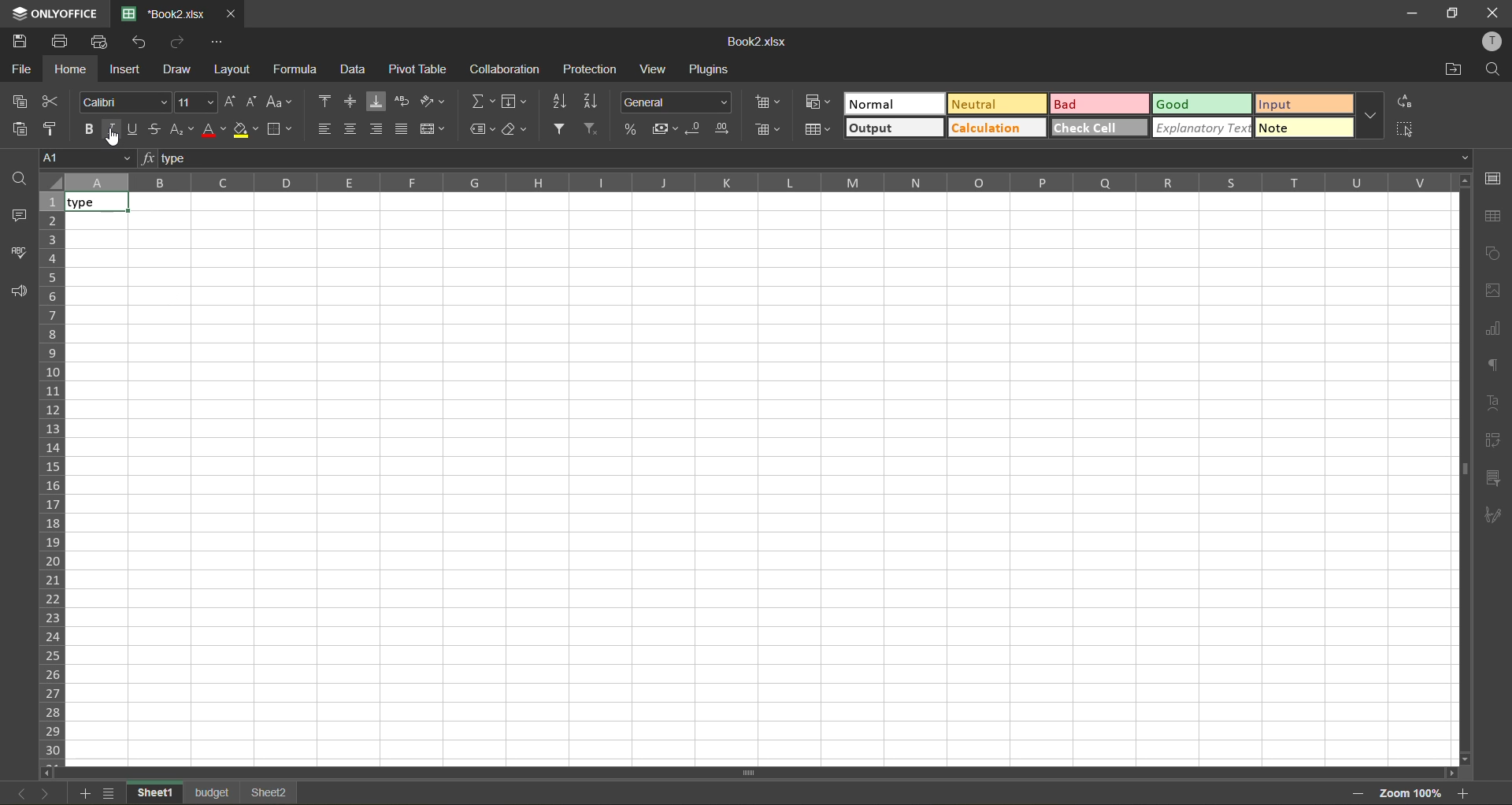 The height and width of the screenshot is (805, 1512). I want to click on paragraph, so click(1493, 365).